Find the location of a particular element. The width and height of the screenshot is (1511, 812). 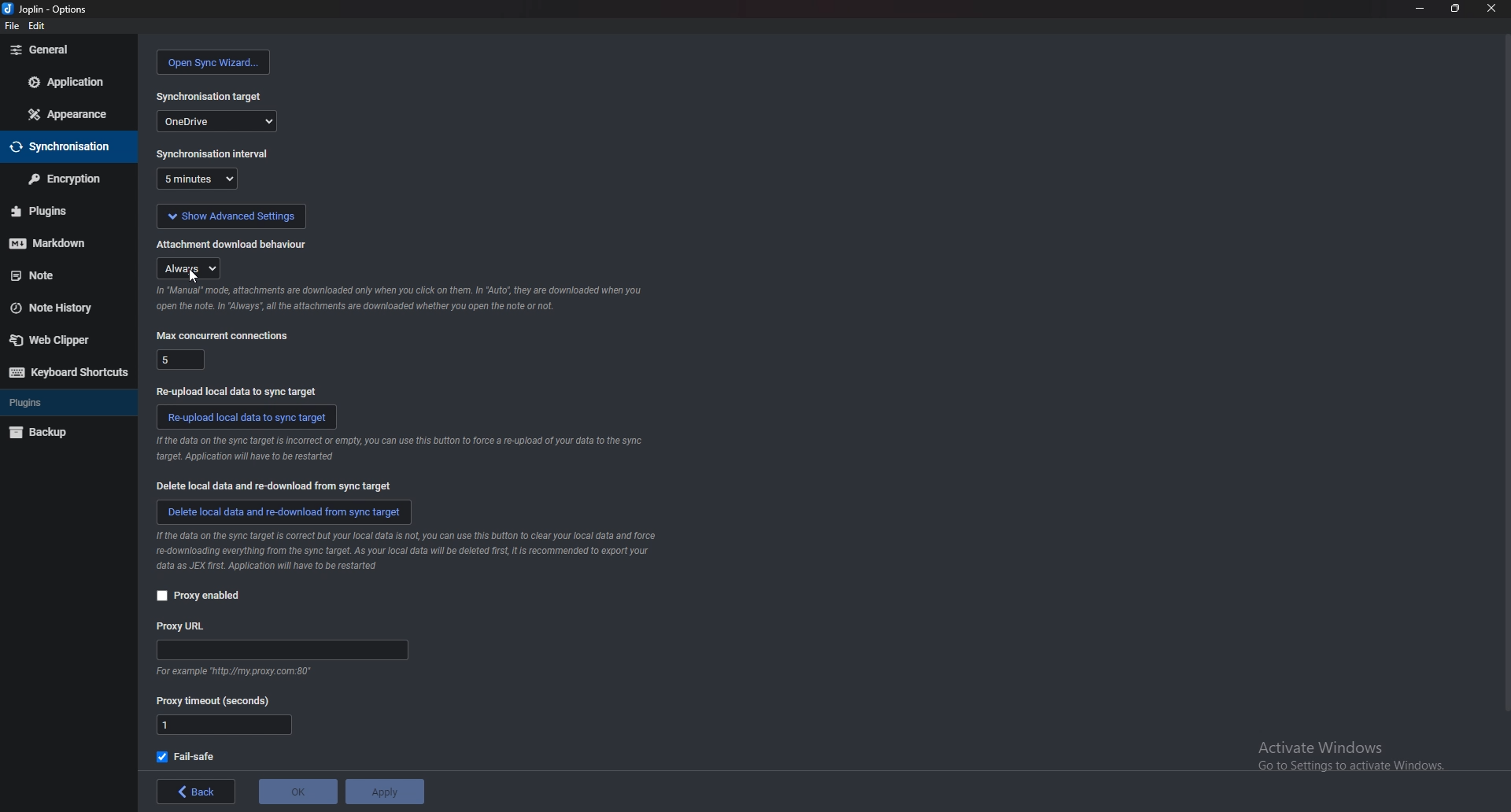

backup is located at coordinates (46, 434).